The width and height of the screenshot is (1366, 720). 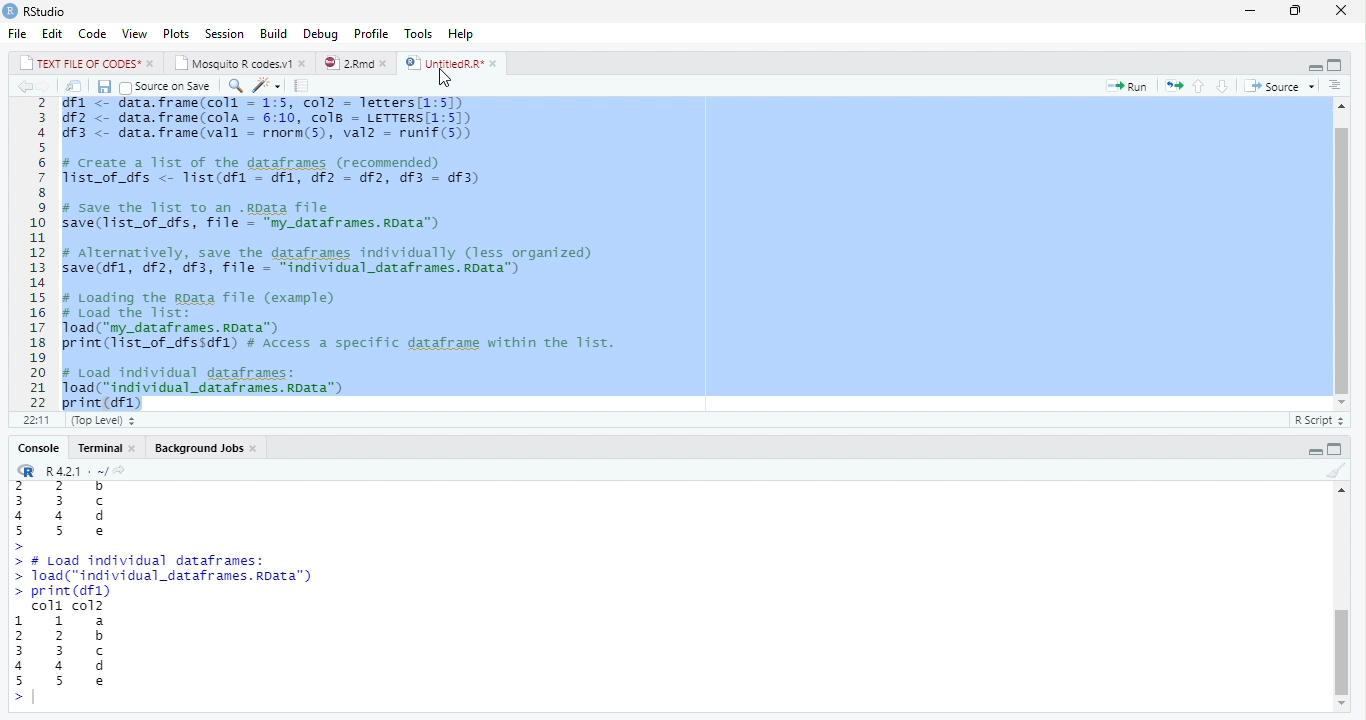 I want to click on Mosquito R codes.v1, so click(x=239, y=62).